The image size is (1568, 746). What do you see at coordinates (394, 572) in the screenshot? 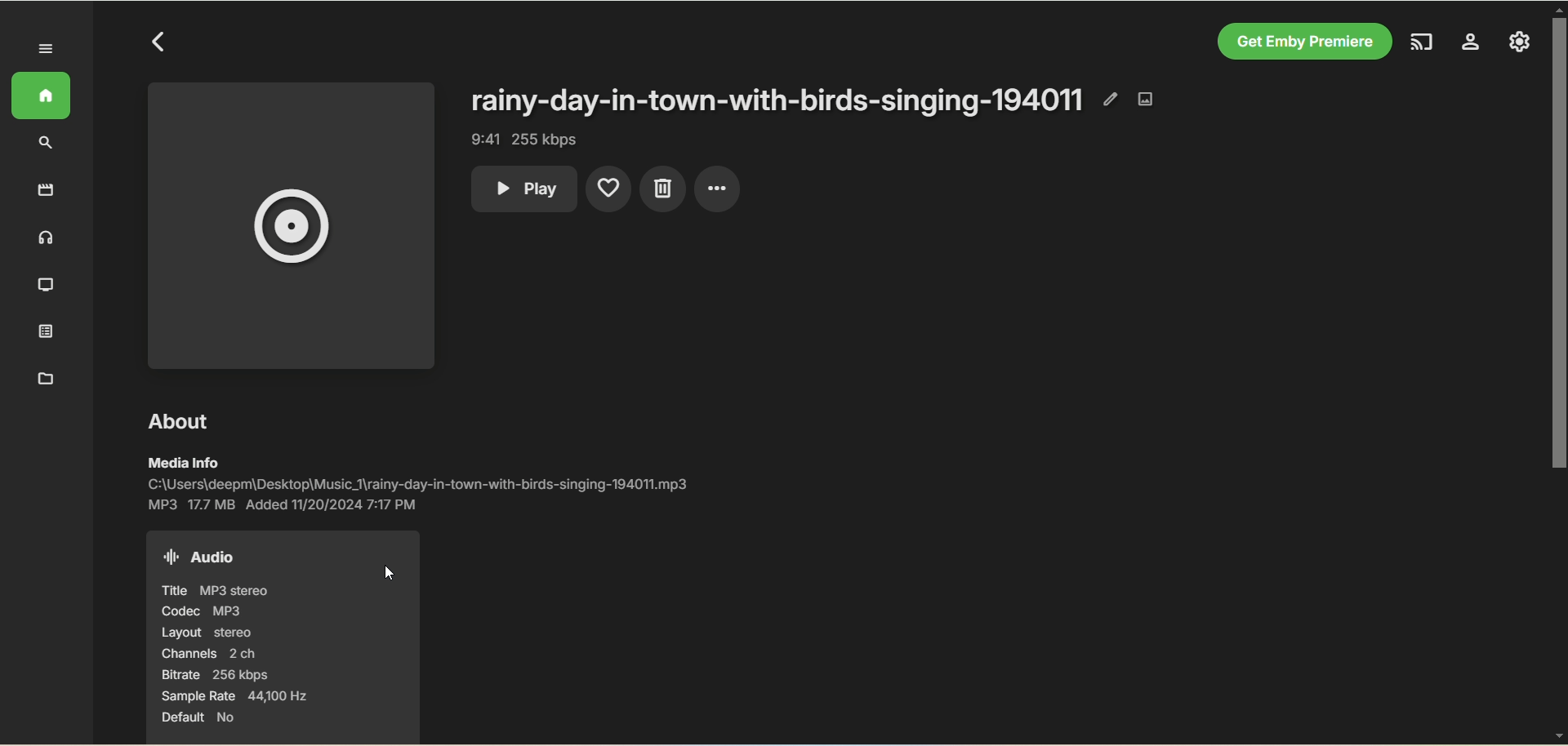
I see `cursor` at bounding box center [394, 572].